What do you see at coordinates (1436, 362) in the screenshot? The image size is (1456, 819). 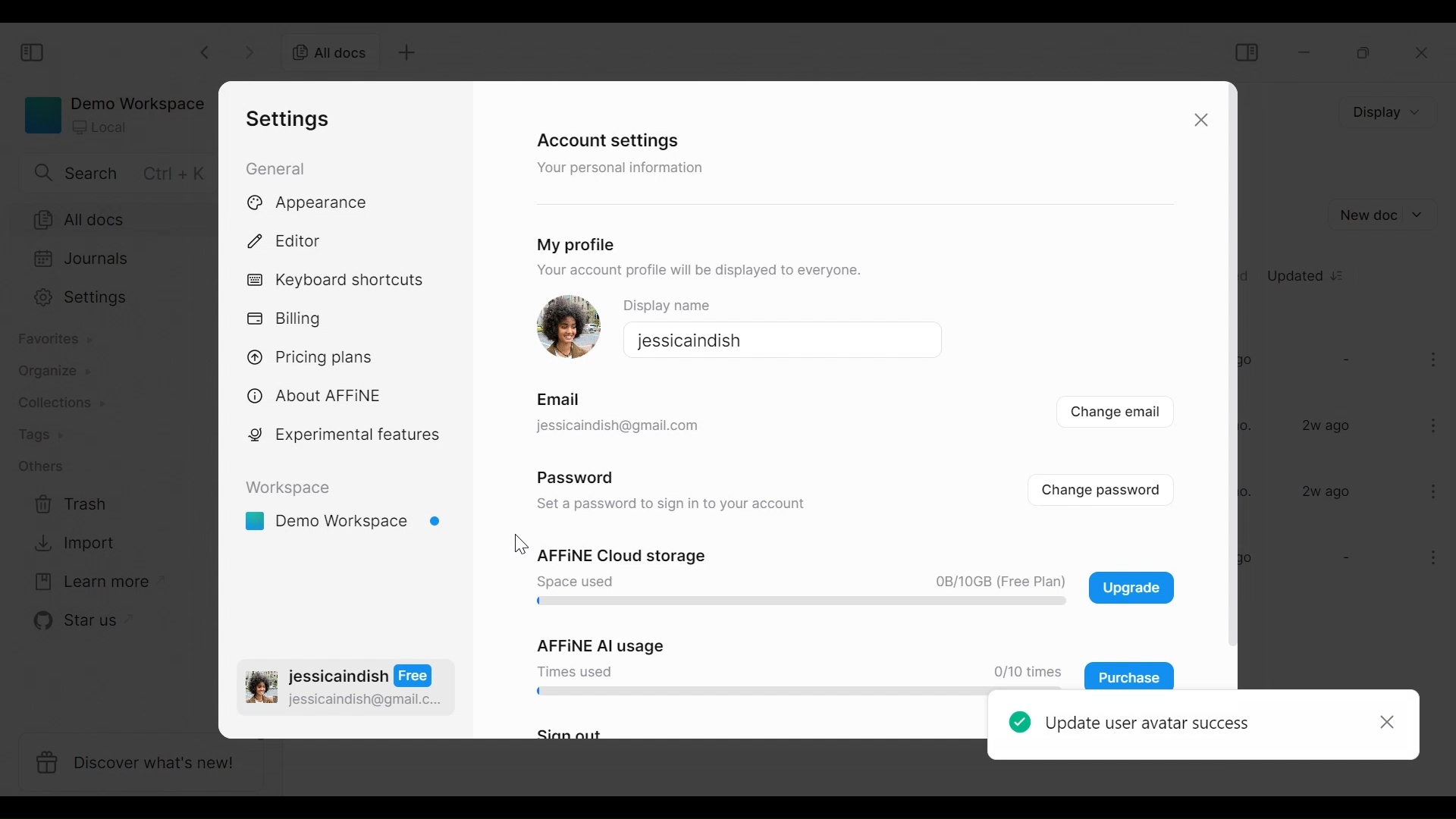 I see `more options` at bounding box center [1436, 362].